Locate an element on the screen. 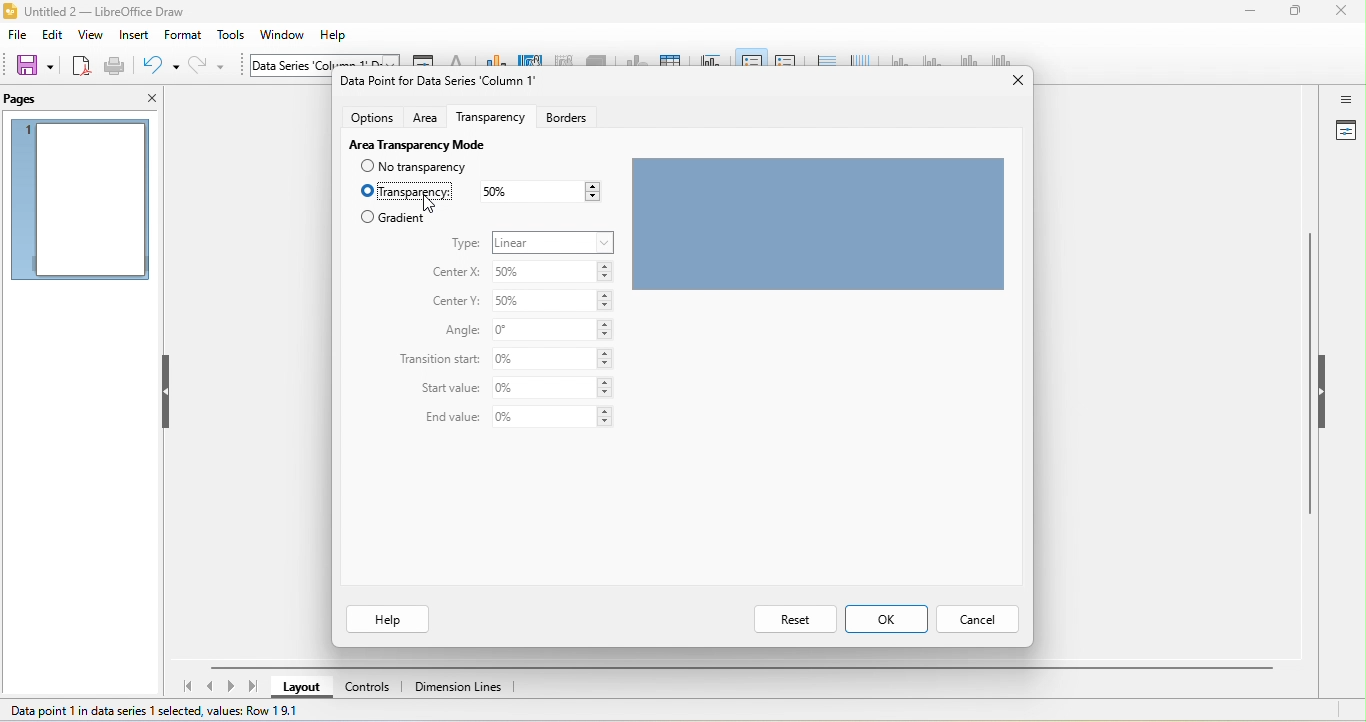 Image resolution: width=1366 pixels, height=722 pixels. format is located at coordinates (184, 34).